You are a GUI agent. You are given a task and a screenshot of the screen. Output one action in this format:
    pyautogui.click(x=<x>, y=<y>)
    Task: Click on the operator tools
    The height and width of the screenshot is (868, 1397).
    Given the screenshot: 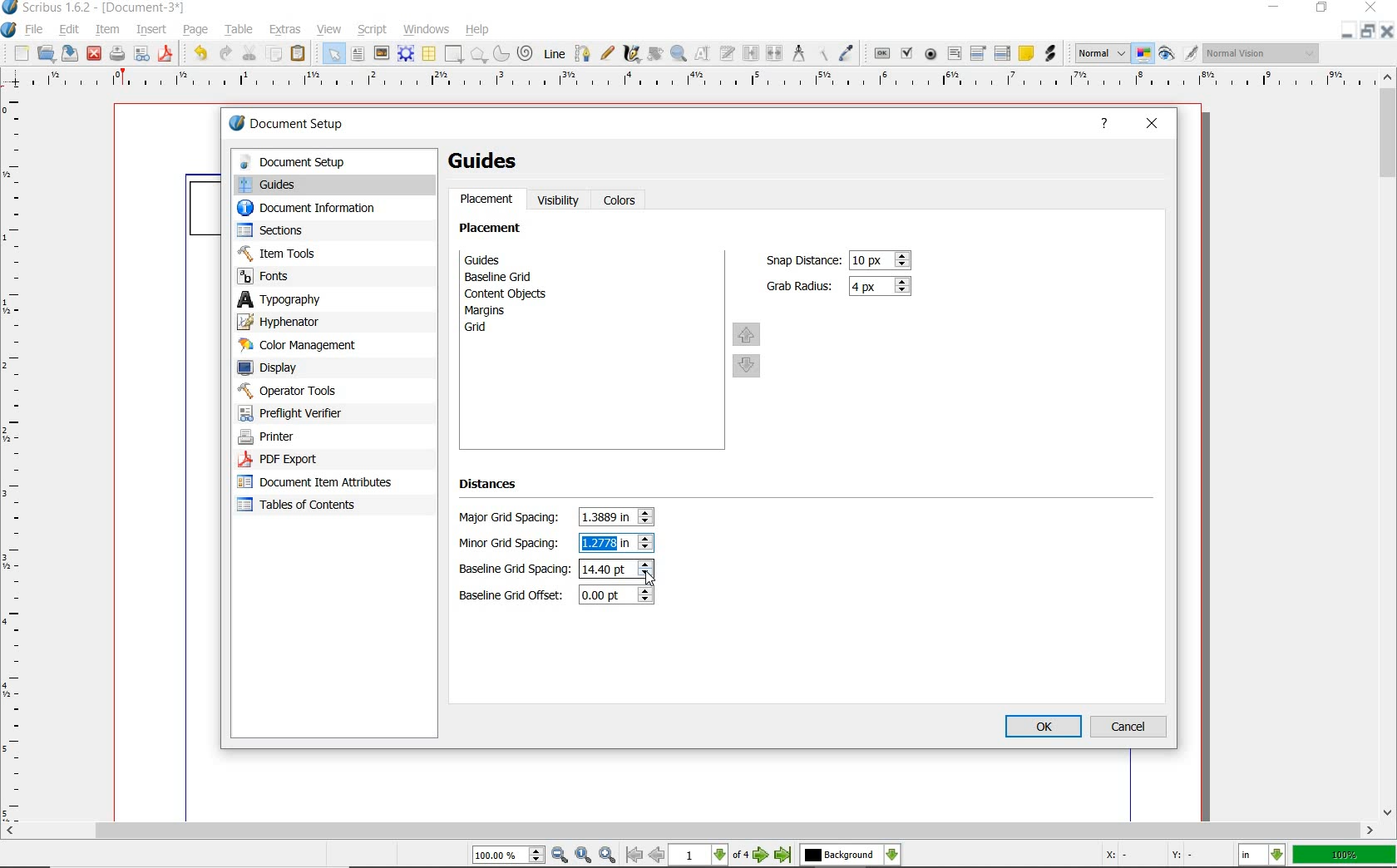 What is the action you would take?
    pyautogui.click(x=327, y=391)
    